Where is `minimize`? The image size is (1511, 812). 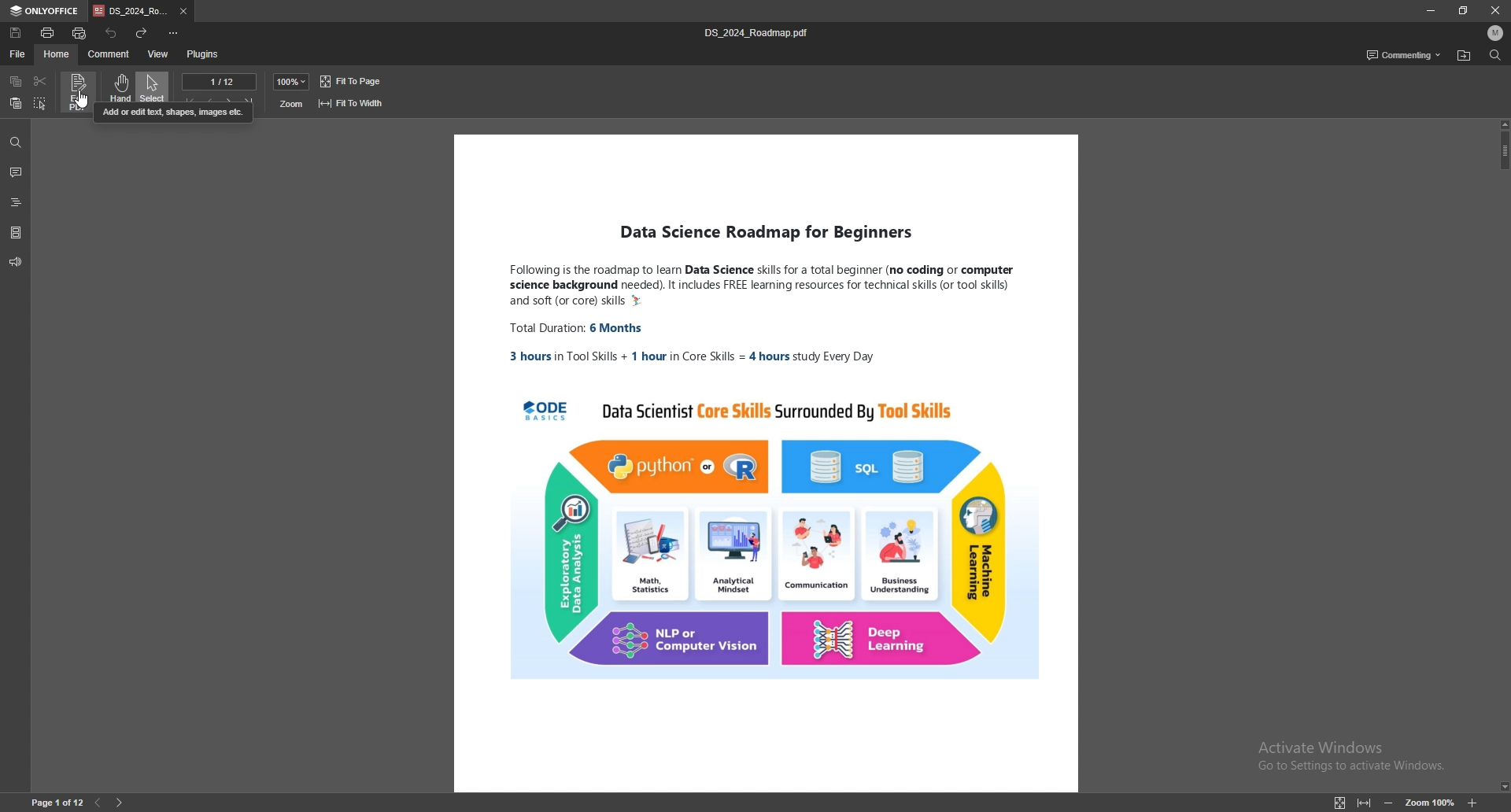
minimize is located at coordinates (1429, 10).